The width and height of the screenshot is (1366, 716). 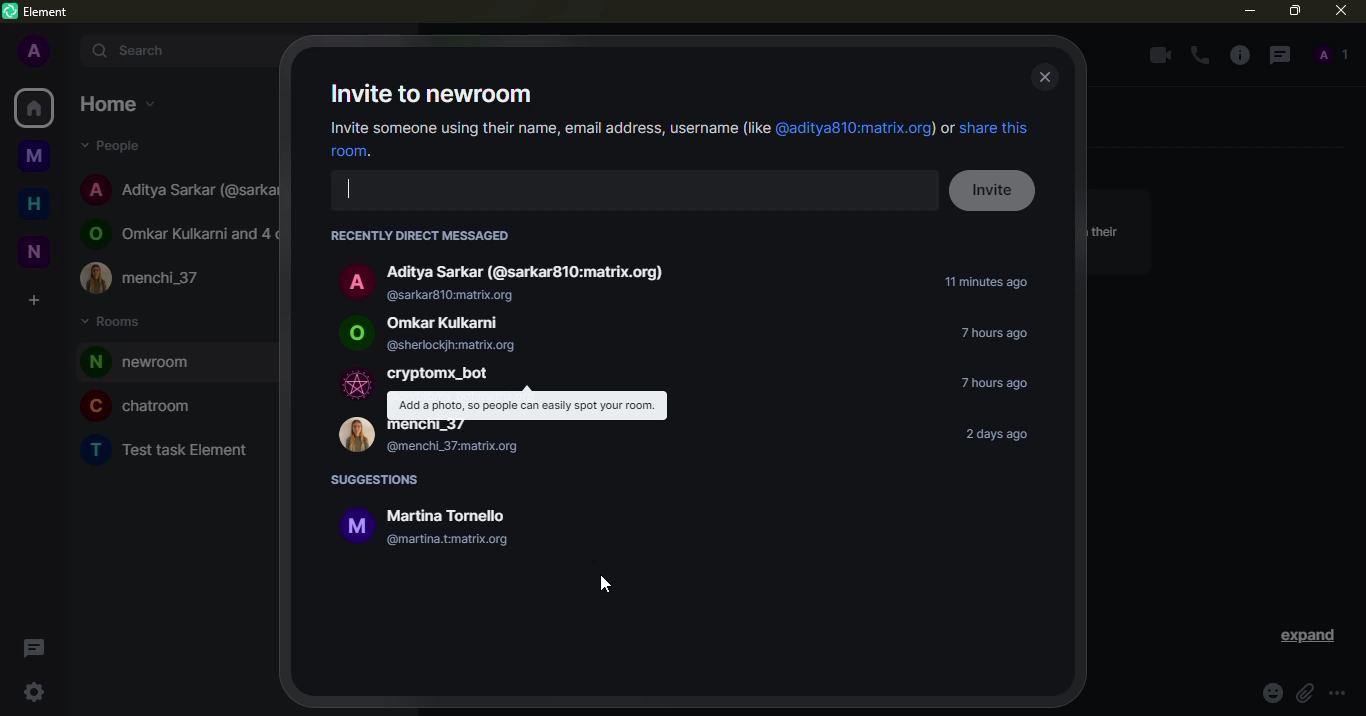 I want to click on time, so click(x=994, y=336).